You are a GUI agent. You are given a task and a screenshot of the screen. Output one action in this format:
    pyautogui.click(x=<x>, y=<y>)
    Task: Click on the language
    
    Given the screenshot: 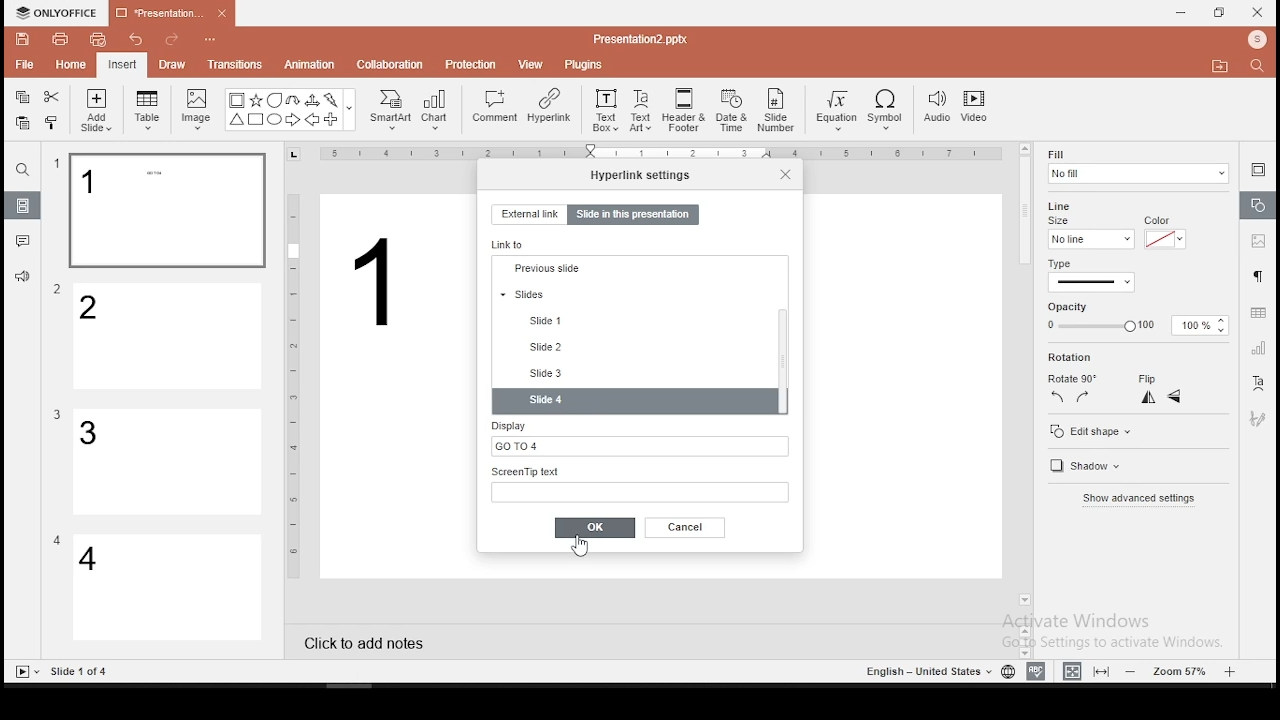 What is the action you would take?
    pyautogui.click(x=1007, y=672)
    